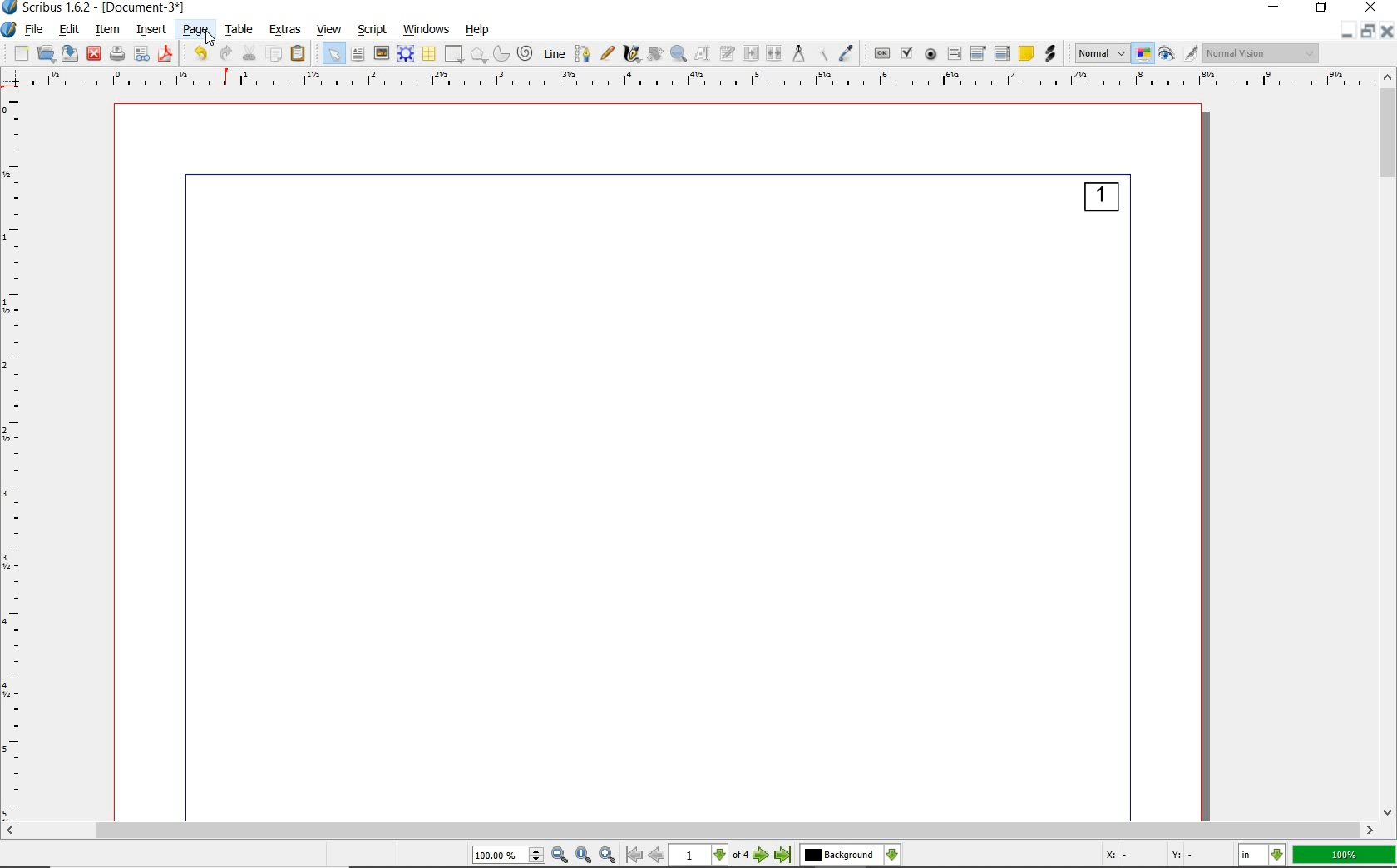 Image resolution: width=1397 pixels, height=868 pixels. Describe the element at coordinates (822, 54) in the screenshot. I see `copy item properties` at that location.